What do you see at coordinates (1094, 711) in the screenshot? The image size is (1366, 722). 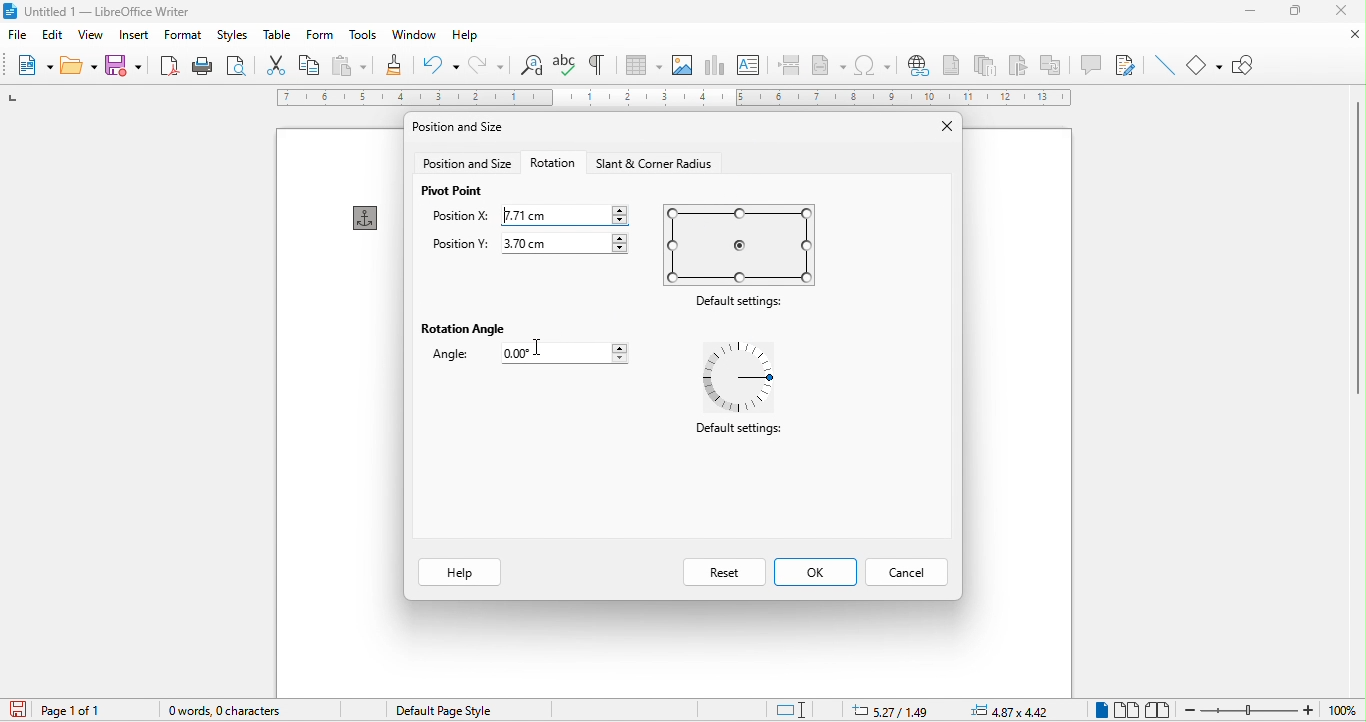 I see `single page view` at bounding box center [1094, 711].